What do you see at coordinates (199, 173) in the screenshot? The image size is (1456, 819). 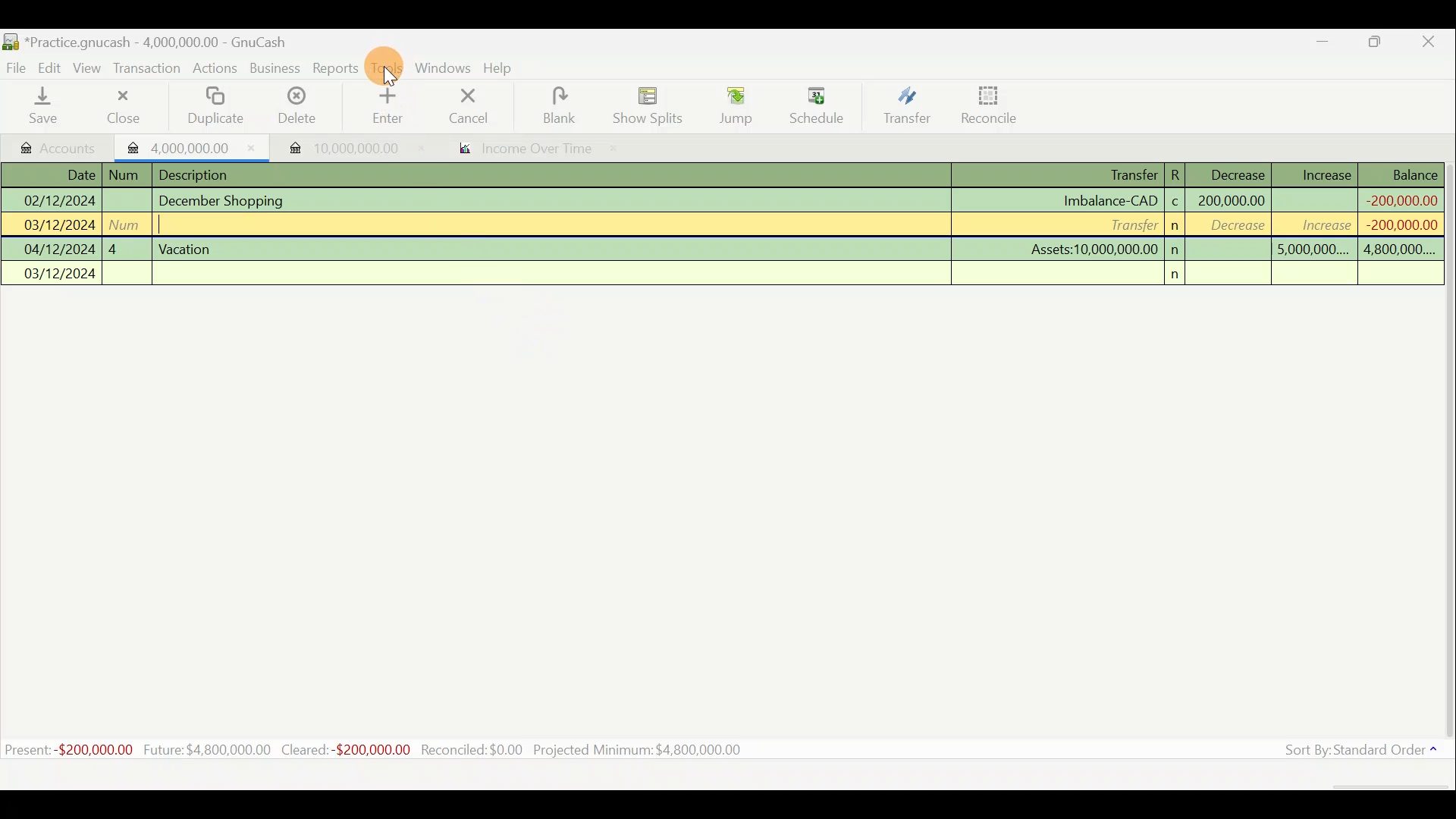 I see `Description` at bounding box center [199, 173].